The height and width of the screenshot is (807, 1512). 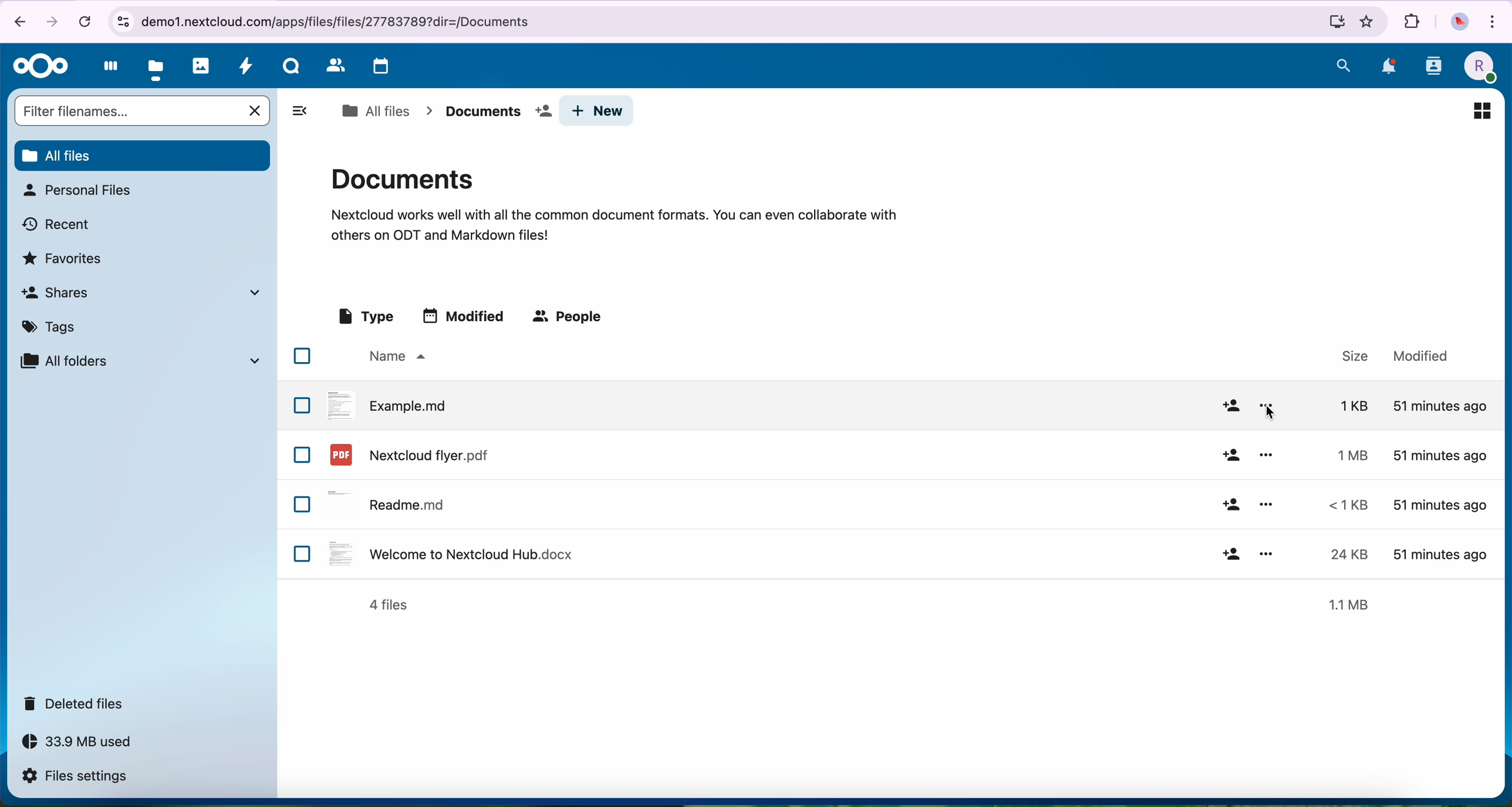 What do you see at coordinates (303, 553) in the screenshot?
I see `checkbox` at bounding box center [303, 553].